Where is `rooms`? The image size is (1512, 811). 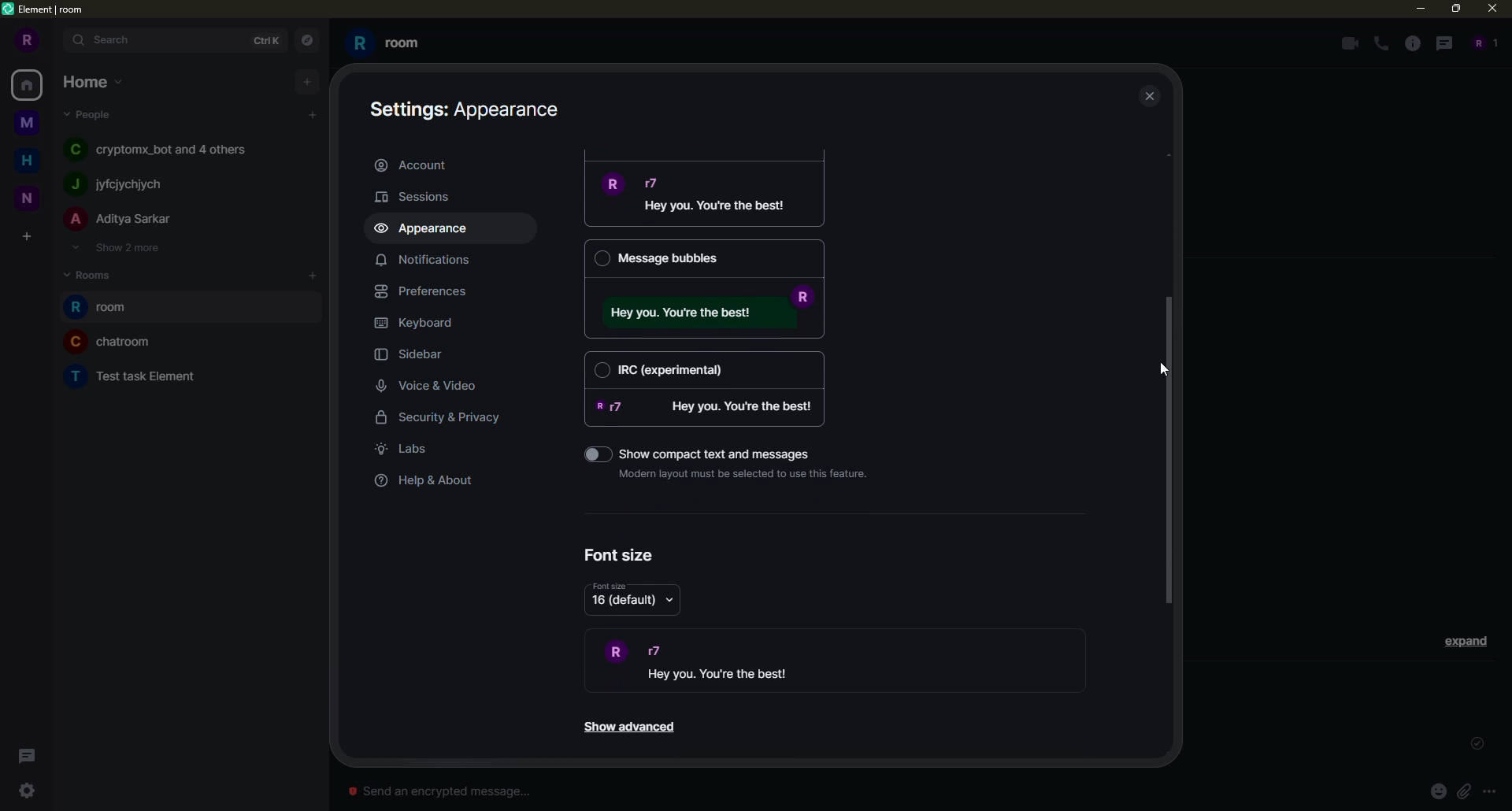
rooms is located at coordinates (94, 273).